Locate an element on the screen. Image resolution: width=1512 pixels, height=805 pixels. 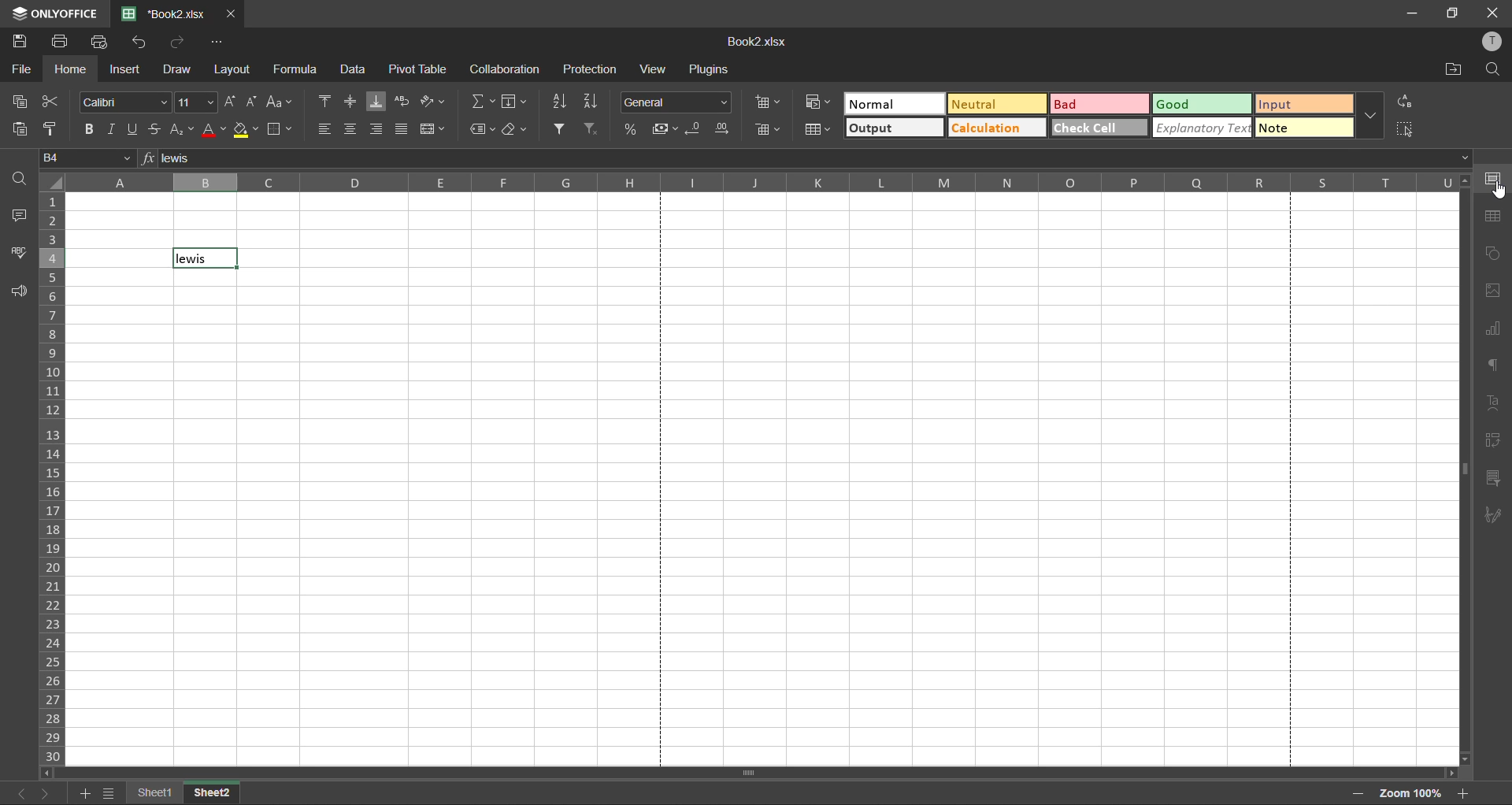
output is located at coordinates (894, 128).